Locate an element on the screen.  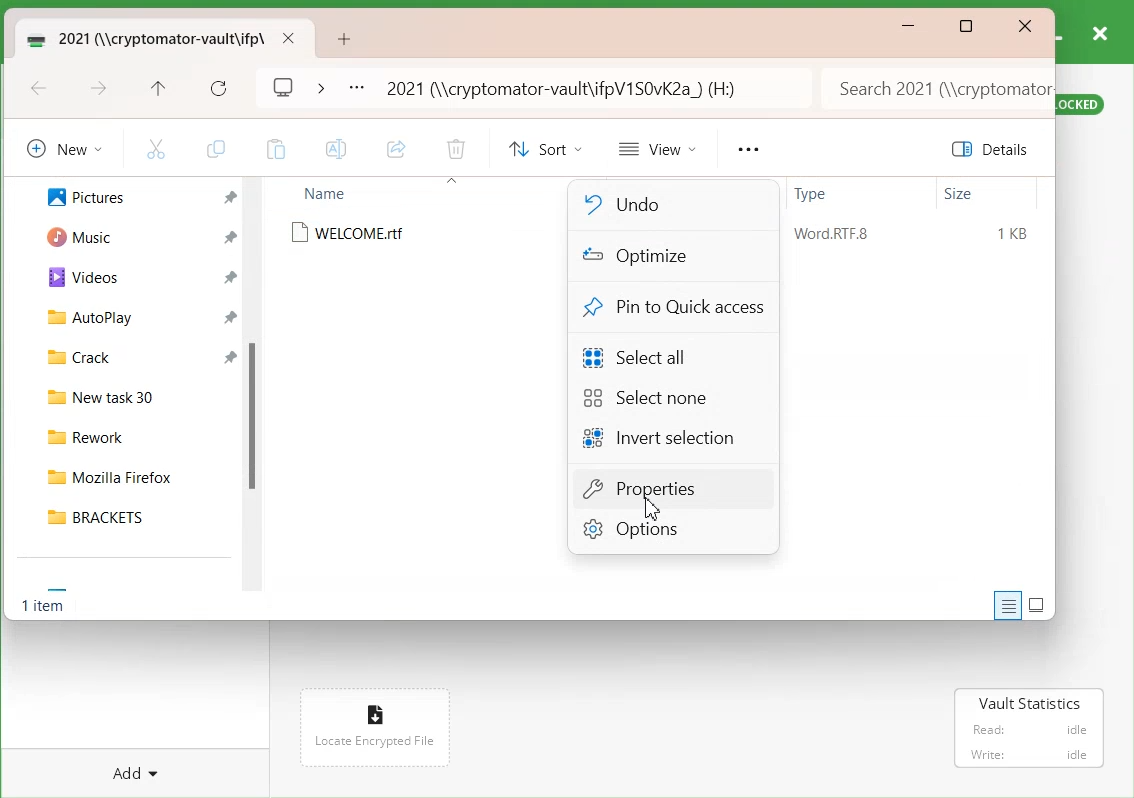
Path Address is located at coordinates (568, 88).